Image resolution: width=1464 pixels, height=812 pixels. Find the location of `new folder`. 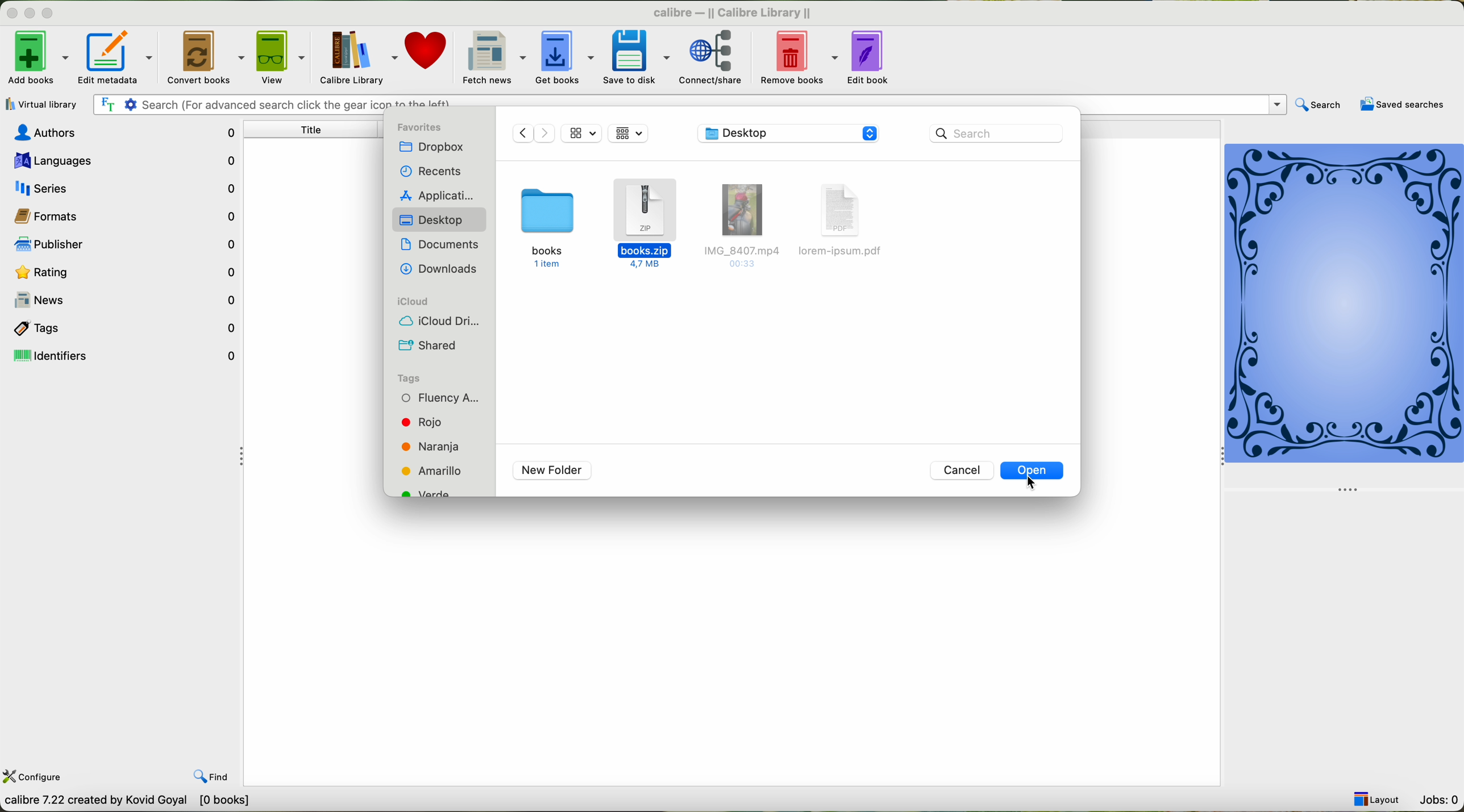

new folder is located at coordinates (549, 469).